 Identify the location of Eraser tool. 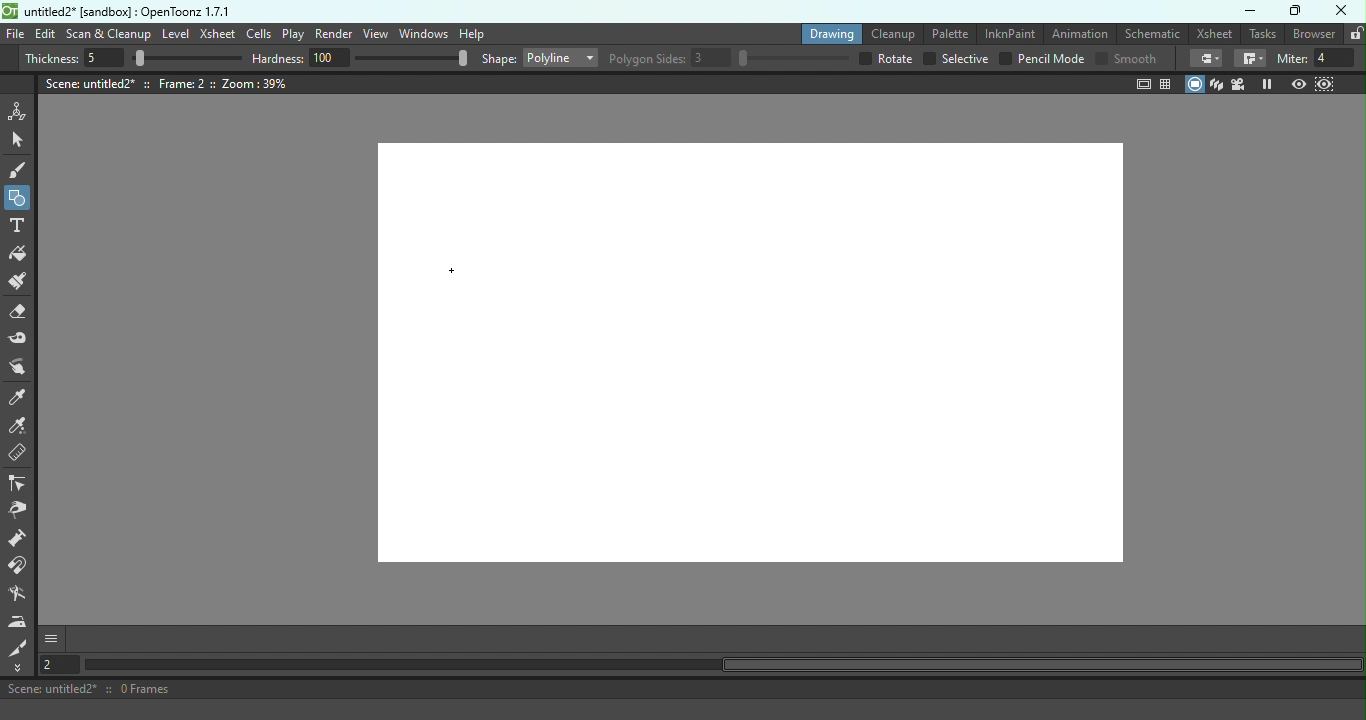
(21, 315).